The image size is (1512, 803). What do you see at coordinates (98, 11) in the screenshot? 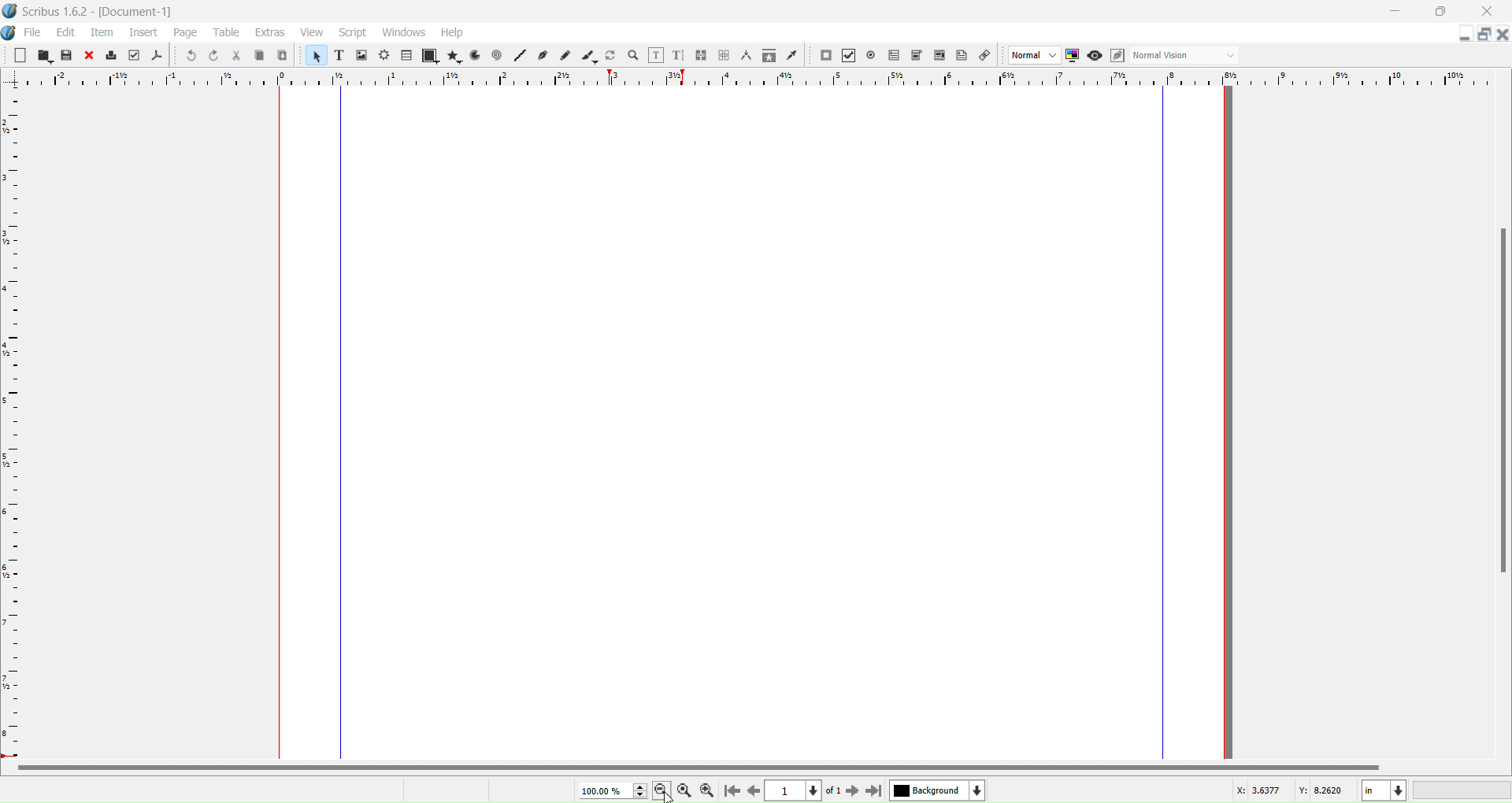
I see `Application Name, Version - Document Title` at bounding box center [98, 11].